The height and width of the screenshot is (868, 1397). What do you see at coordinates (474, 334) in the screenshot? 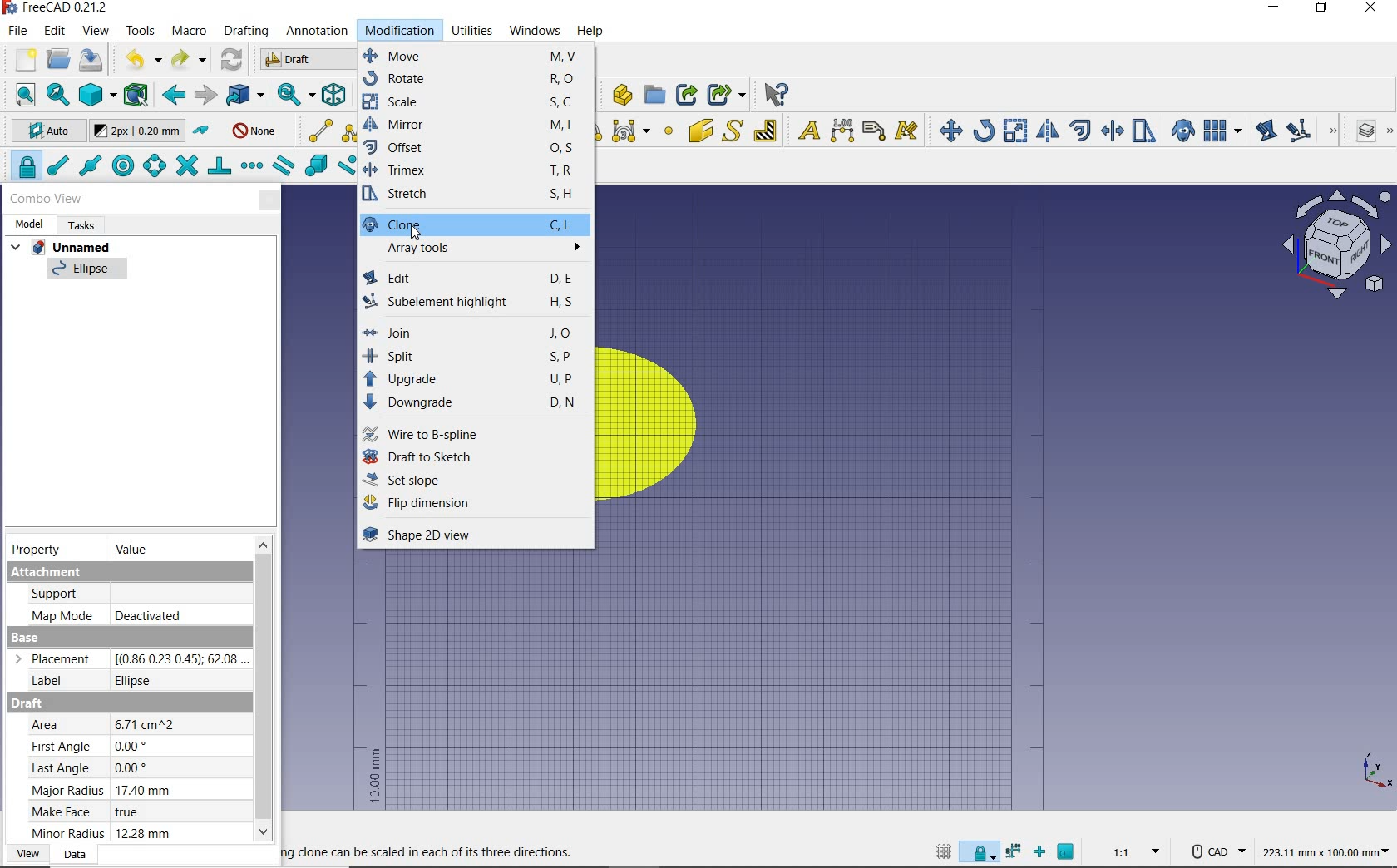
I see `join` at bounding box center [474, 334].